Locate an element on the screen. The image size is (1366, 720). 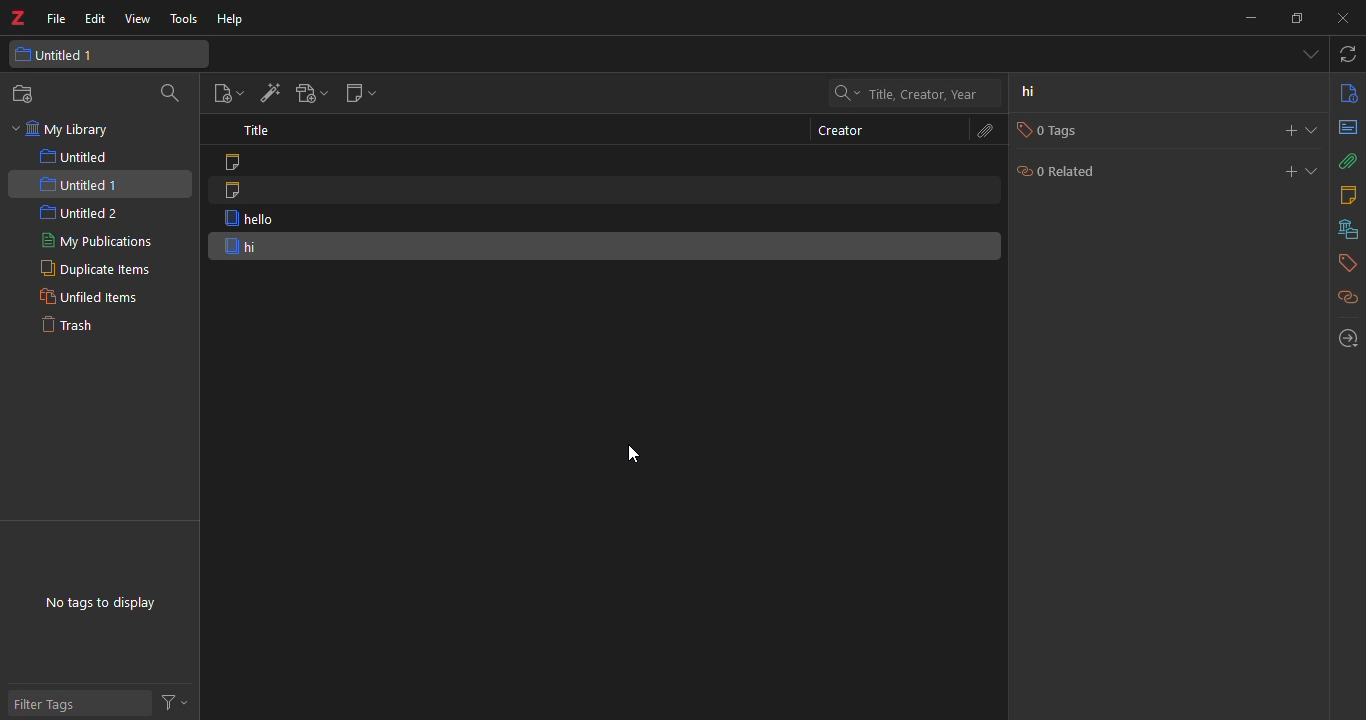
new item is located at coordinates (223, 93).